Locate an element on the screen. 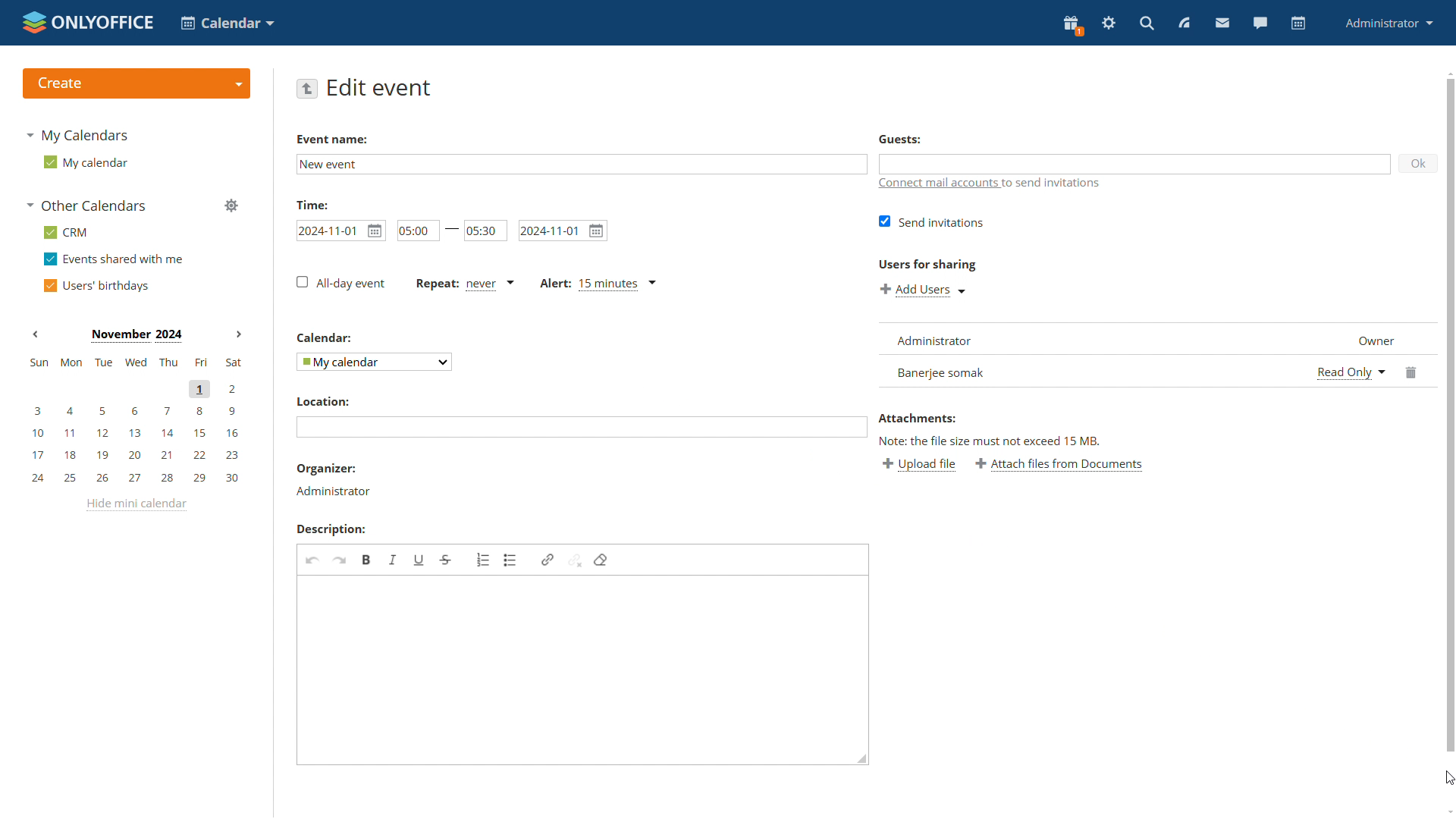 This screenshot has width=1456, height=819. start time is located at coordinates (417, 231).